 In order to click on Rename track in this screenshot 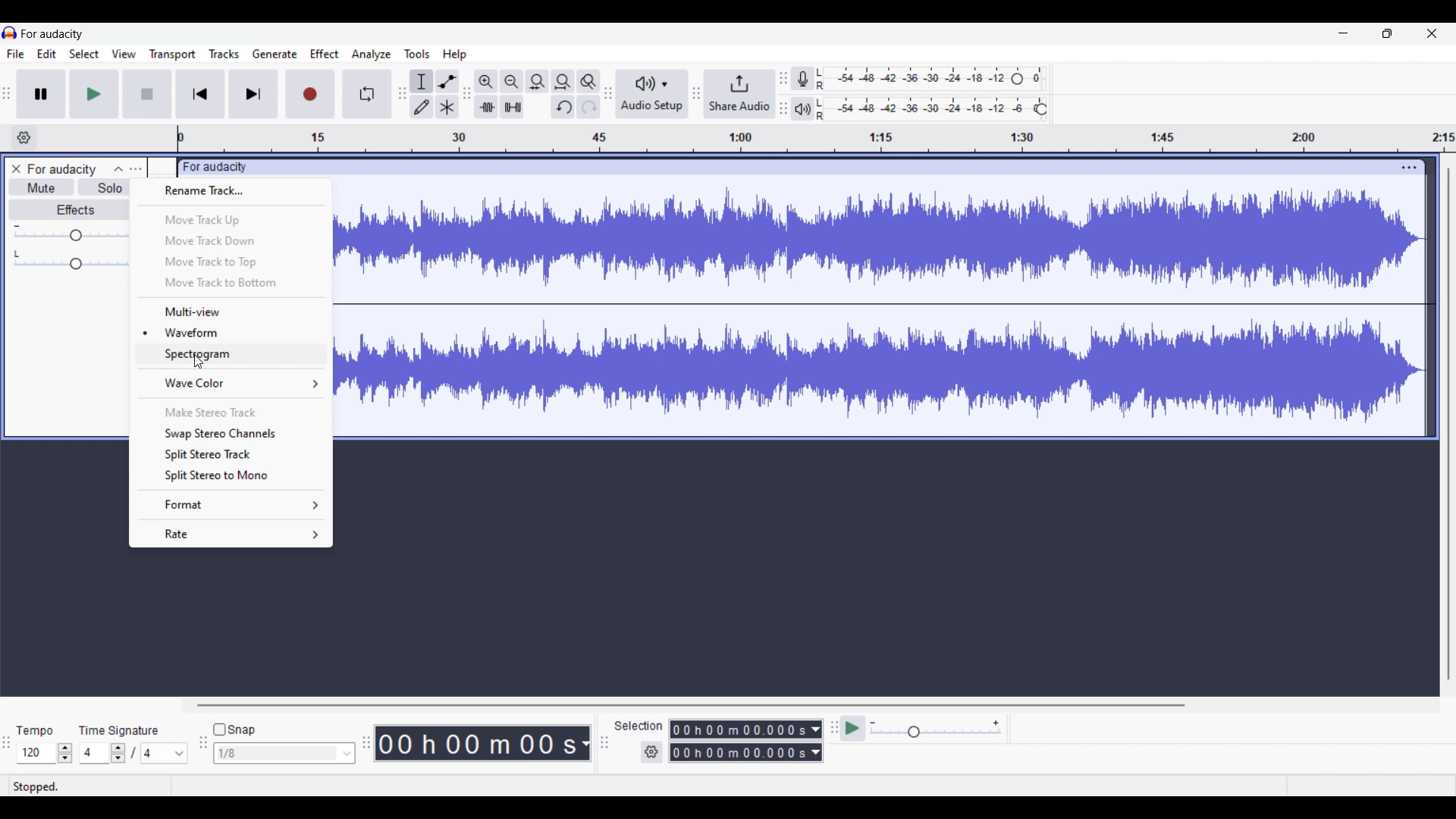, I will do `click(231, 191)`.